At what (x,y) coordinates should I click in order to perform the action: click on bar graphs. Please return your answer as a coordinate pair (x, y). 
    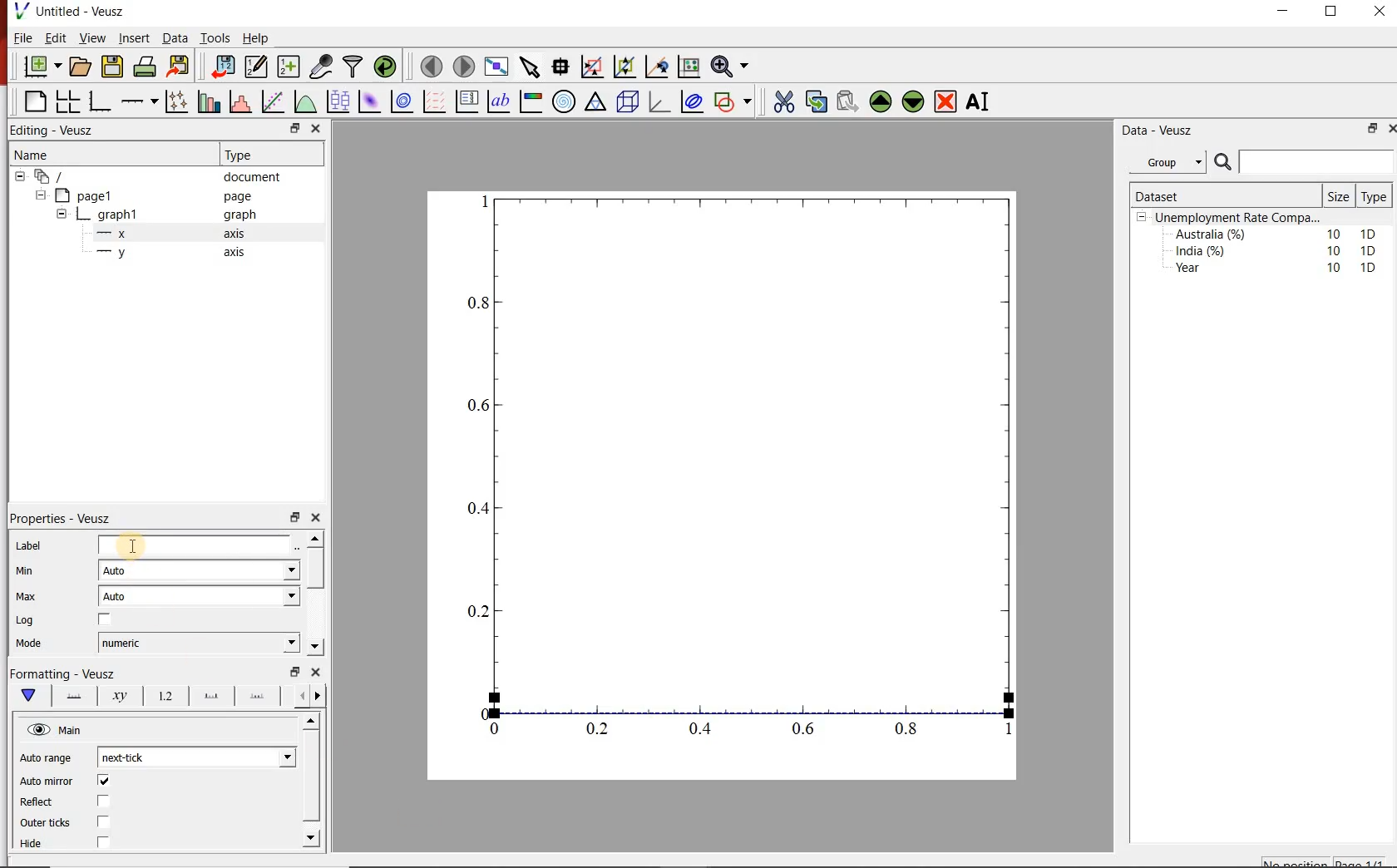
    Looking at the image, I should click on (207, 101).